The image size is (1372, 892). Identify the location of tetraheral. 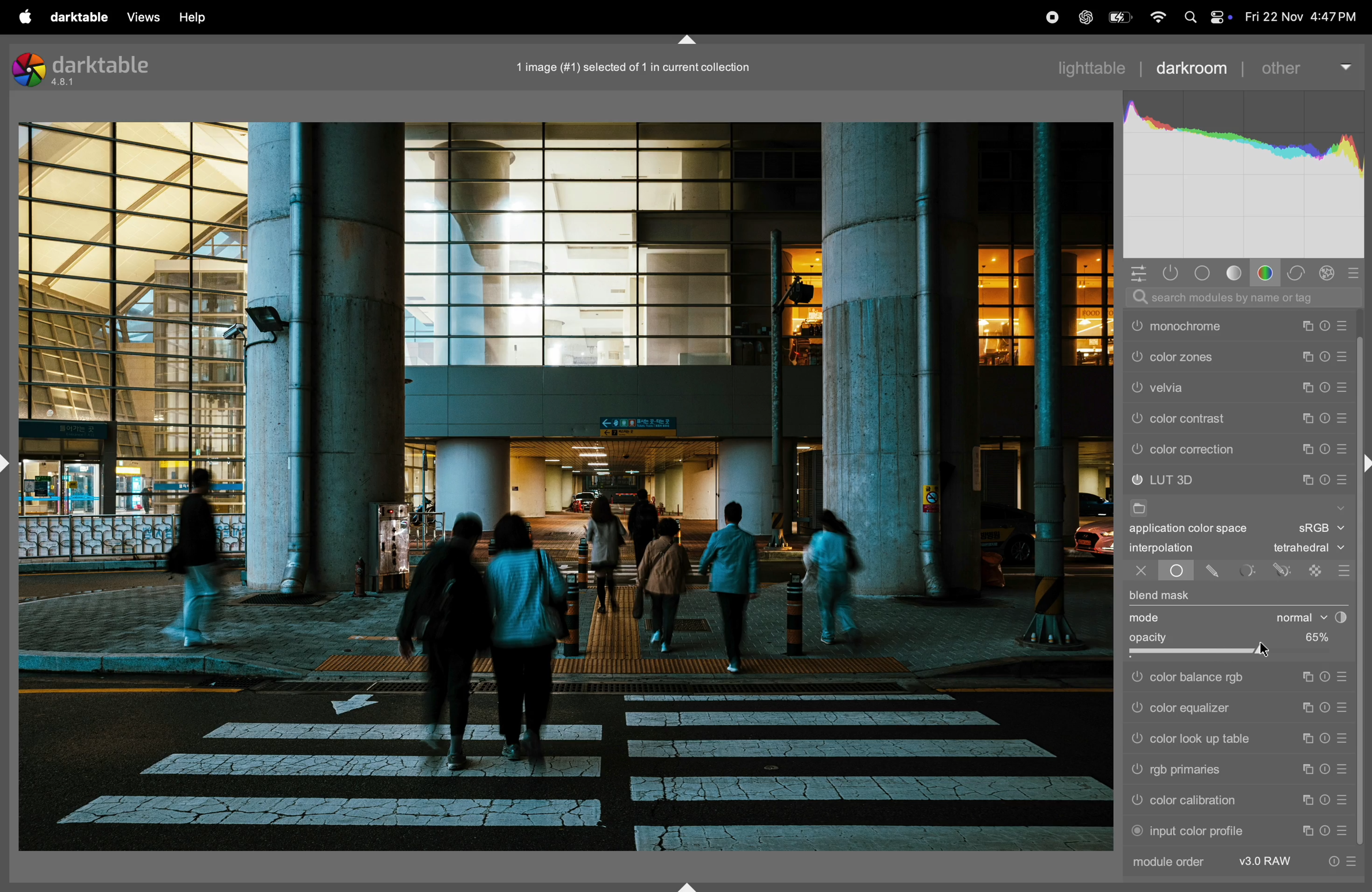
(1305, 549).